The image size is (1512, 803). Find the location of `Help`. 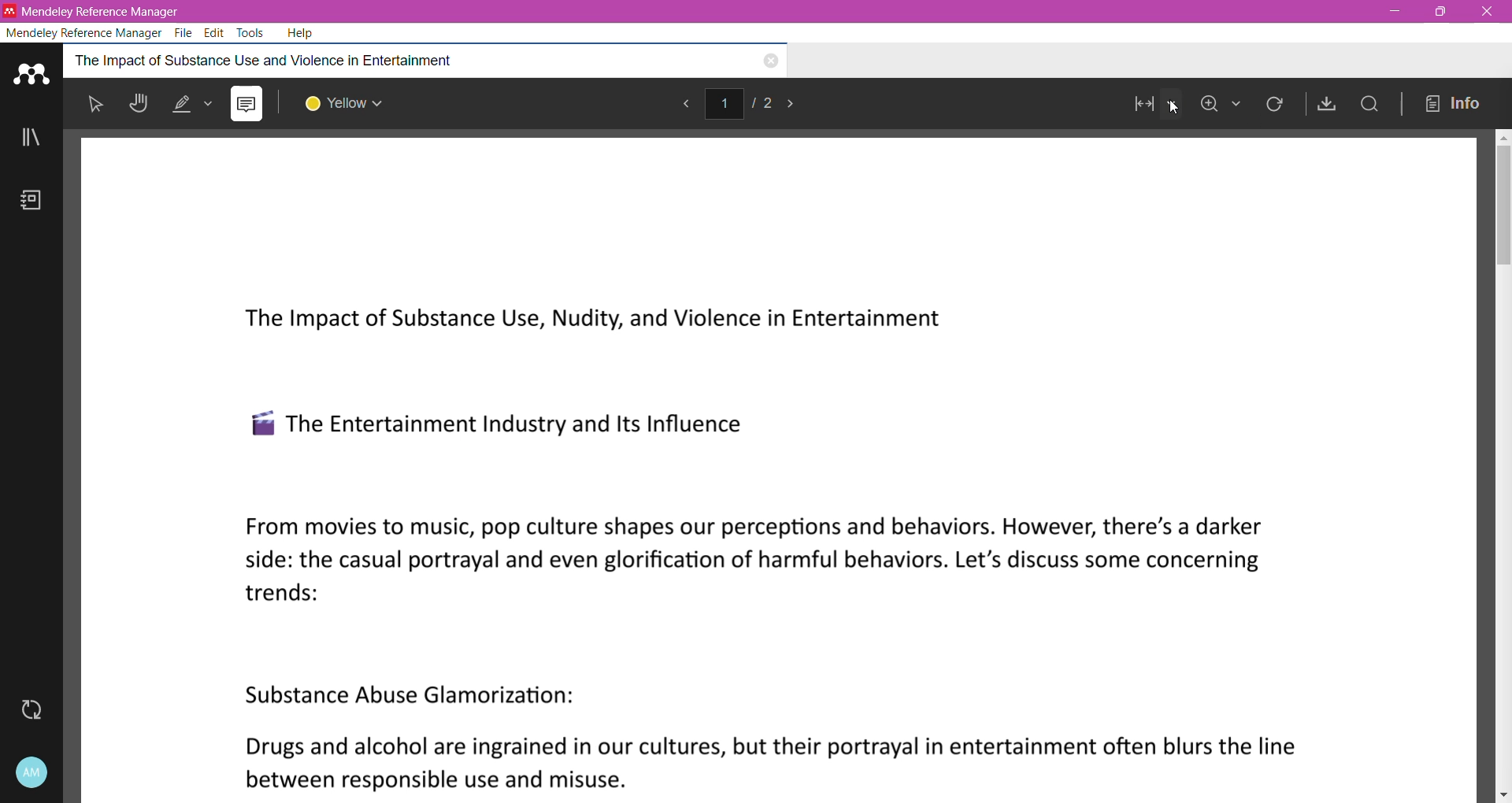

Help is located at coordinates (303, 33).